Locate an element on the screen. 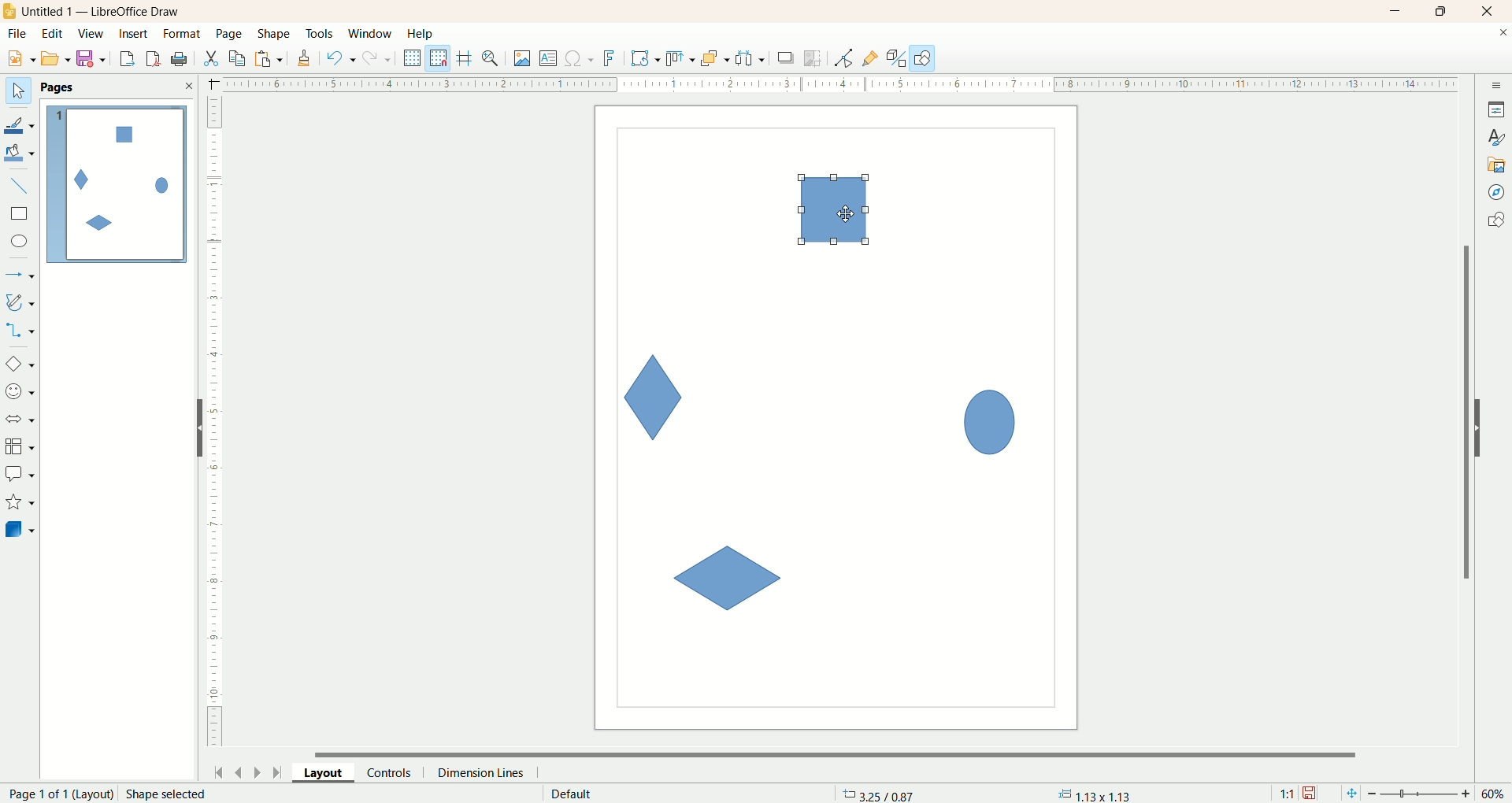 The width and height of the screenshot is (1512, 803). insert image is located at coordinates (523, 59).